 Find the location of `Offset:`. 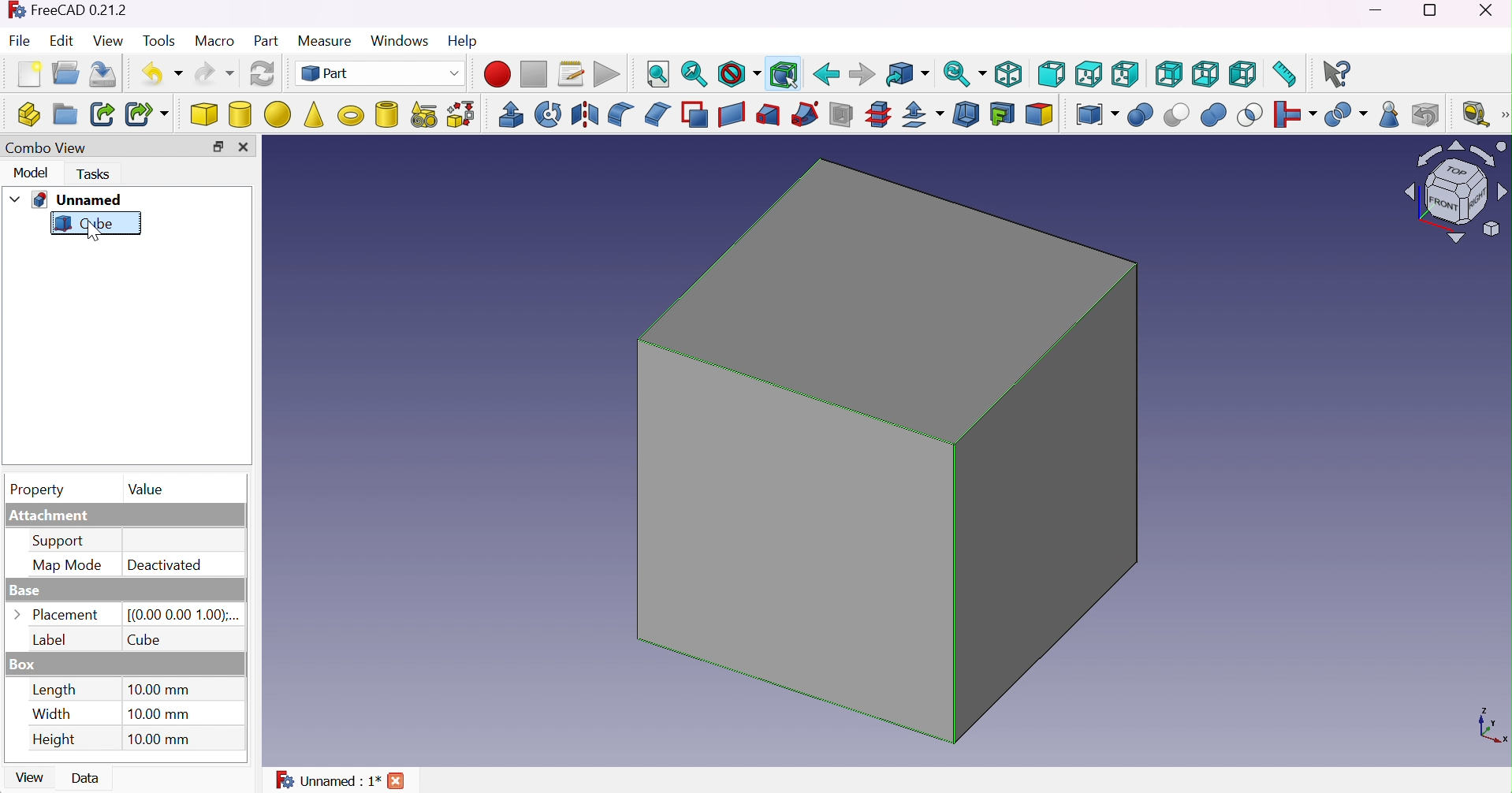

Offset: is located at coordinates (924, 117).